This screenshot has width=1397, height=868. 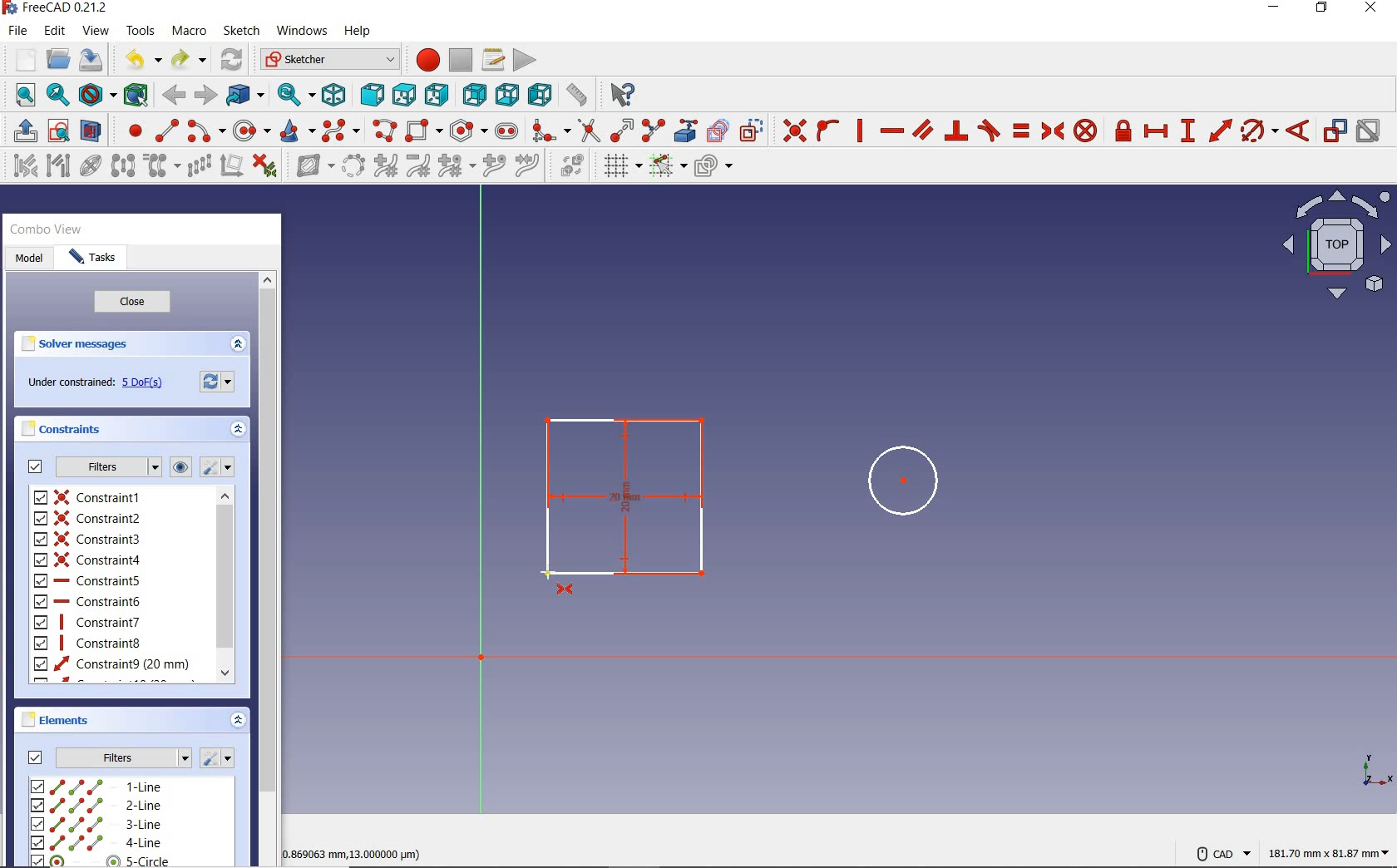 I want to click on scrollbar, so click(x=227, y=586).